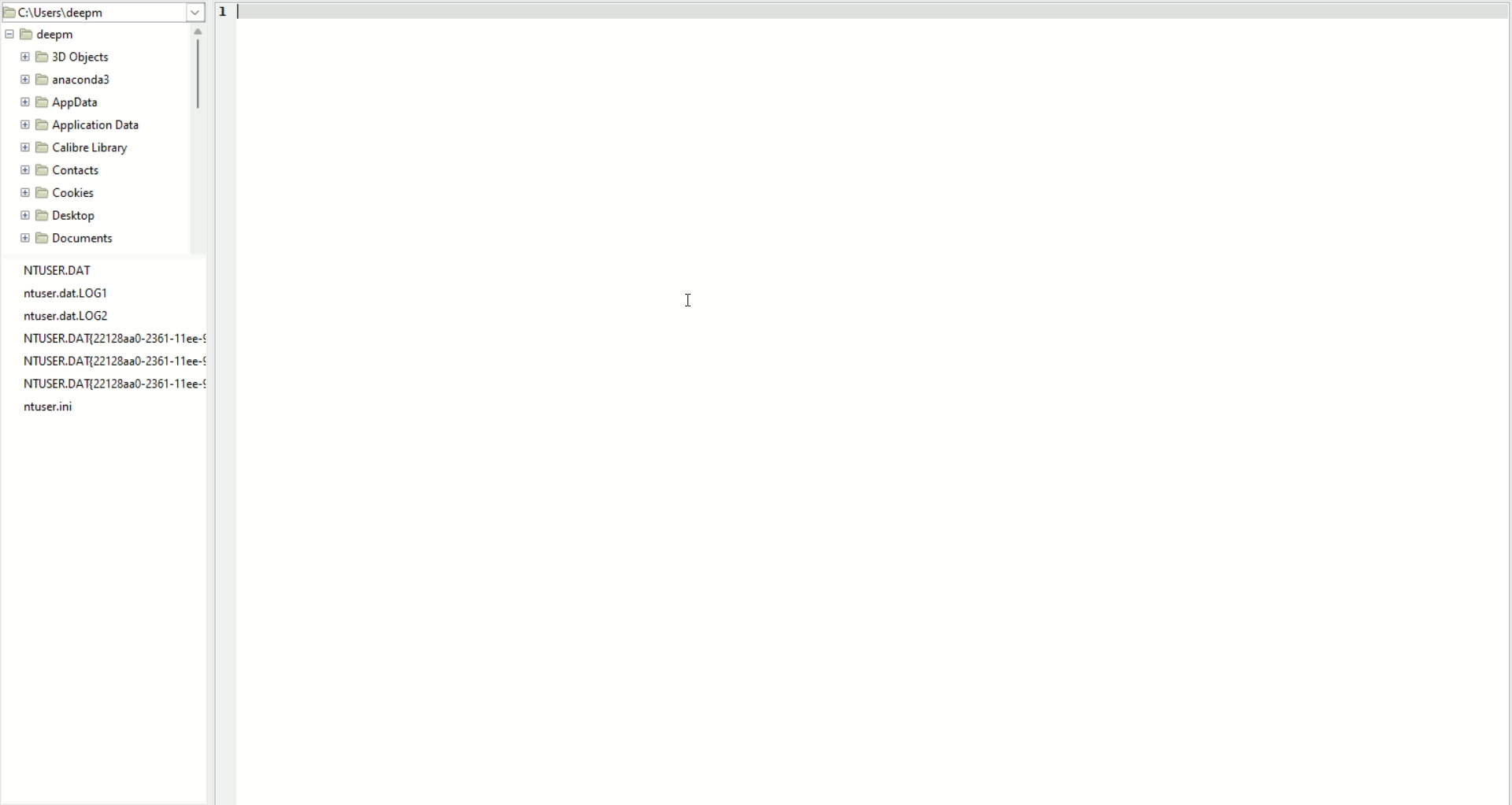  I want to click on folder name , so click(65, 80).